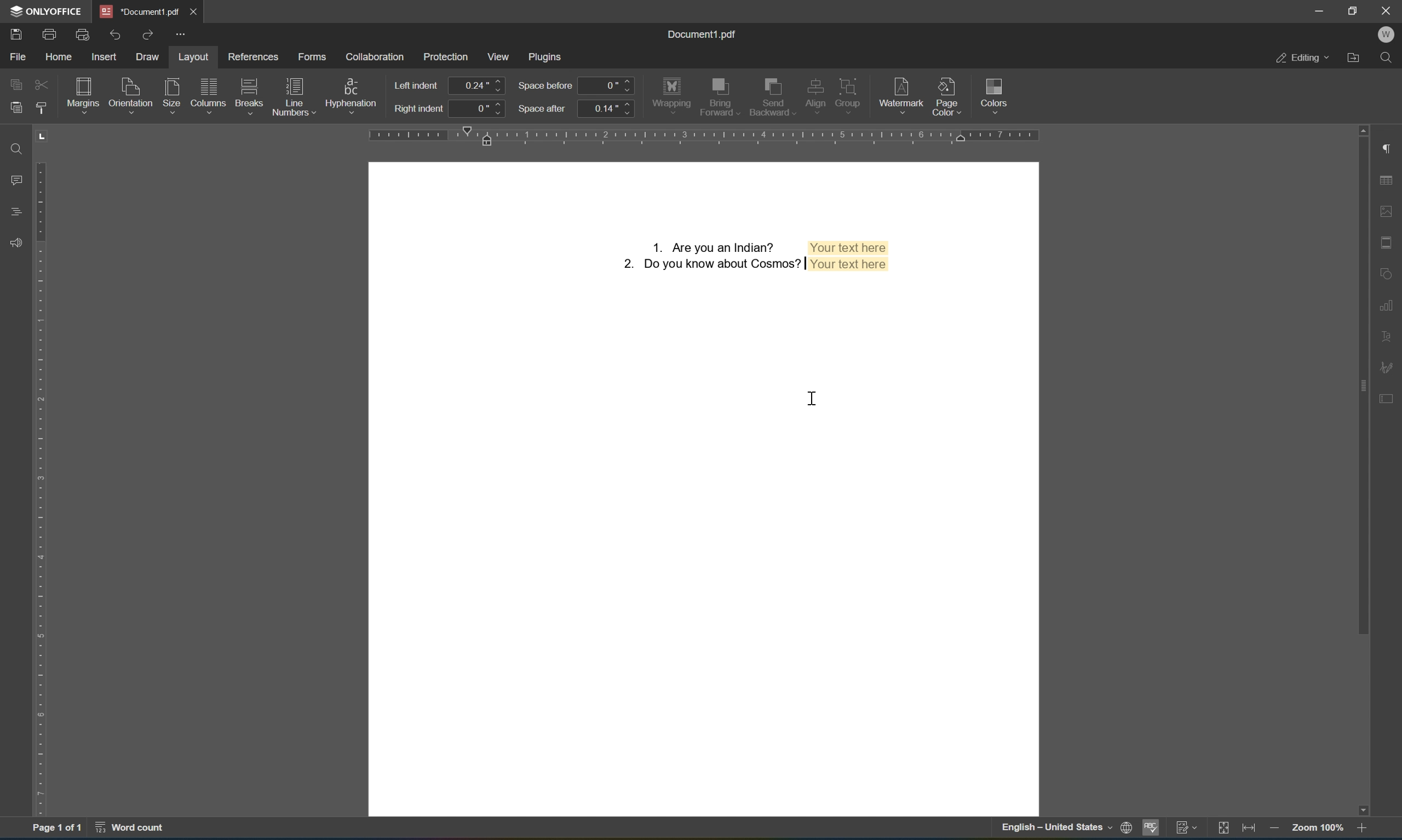  Describe the element at coordinates (1064, 829) in the screenshot. I see `English- United States` at that location.